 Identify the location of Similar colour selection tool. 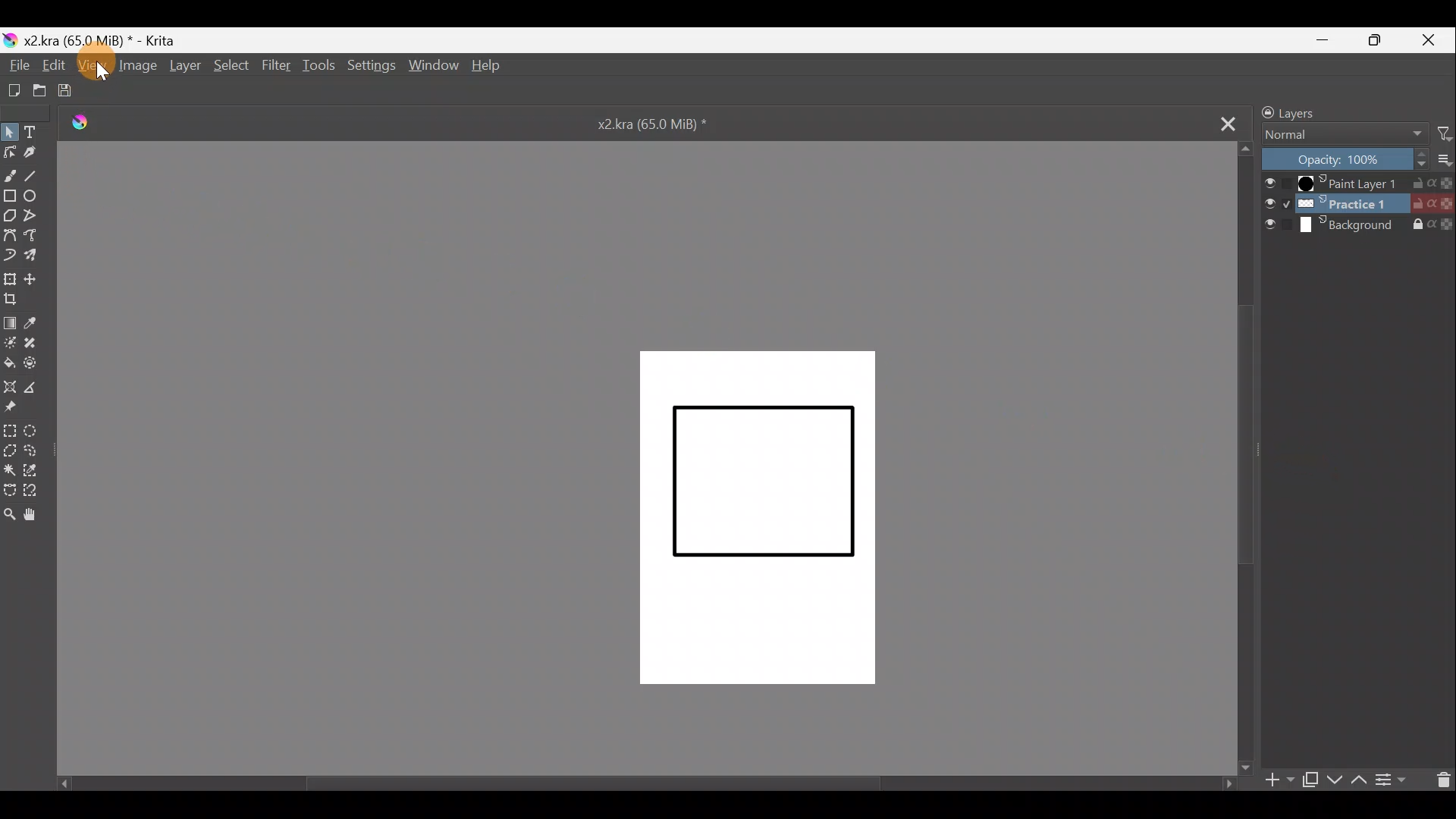
(40, 472).